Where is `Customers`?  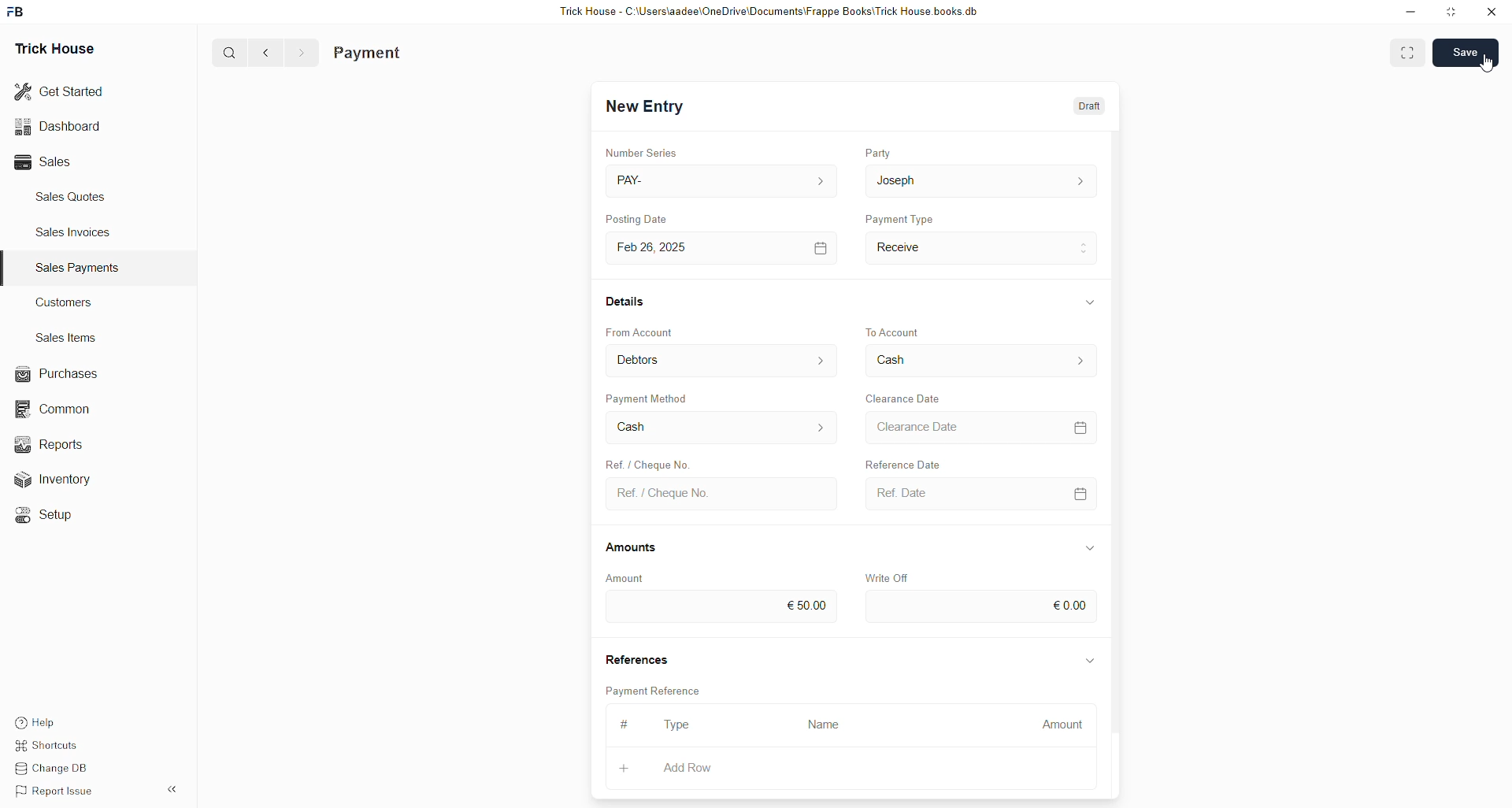 Customers is located at coordinates (69, 302).